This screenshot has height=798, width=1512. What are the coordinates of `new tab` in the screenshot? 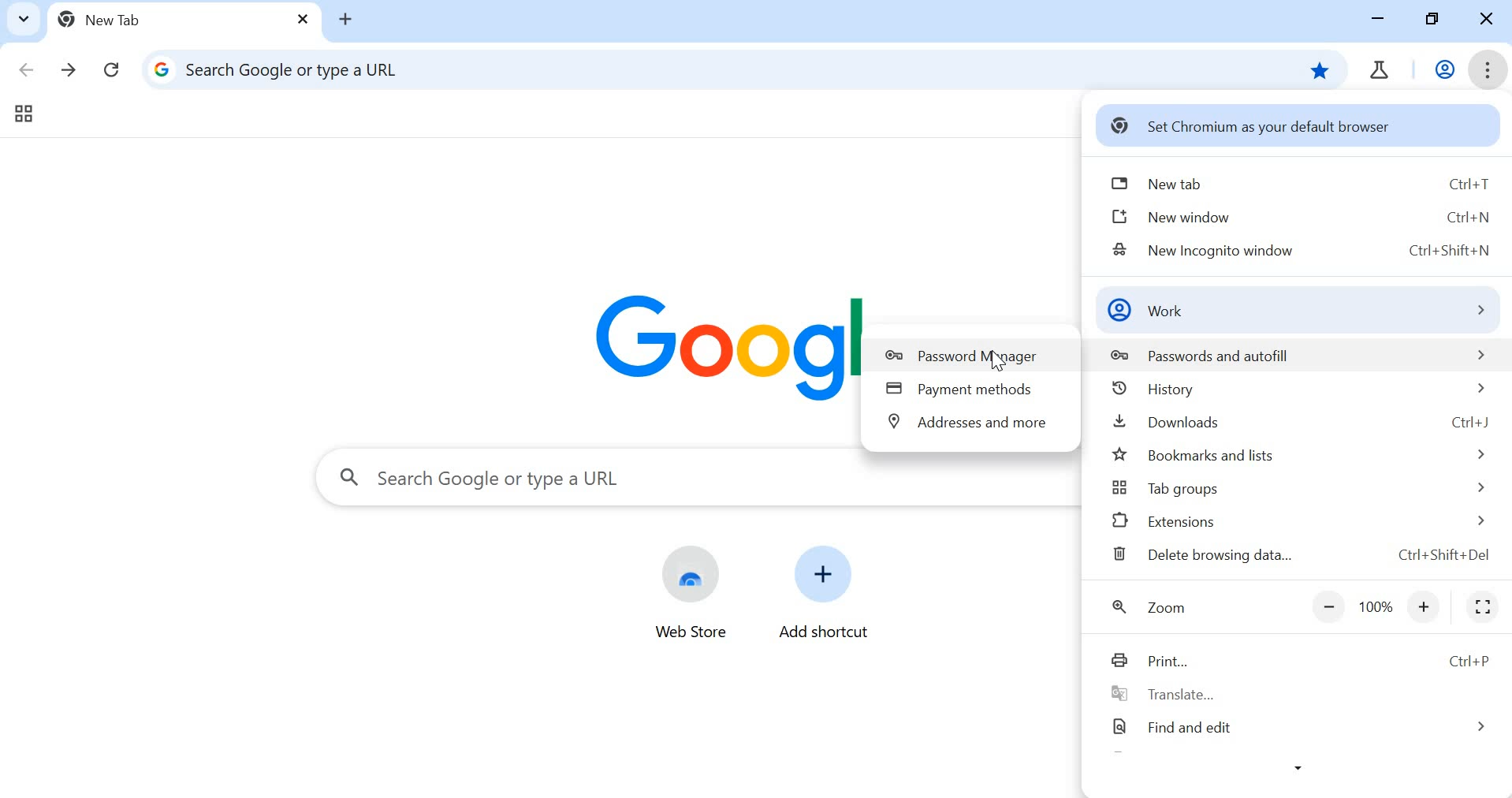 It's located at (180, 17).